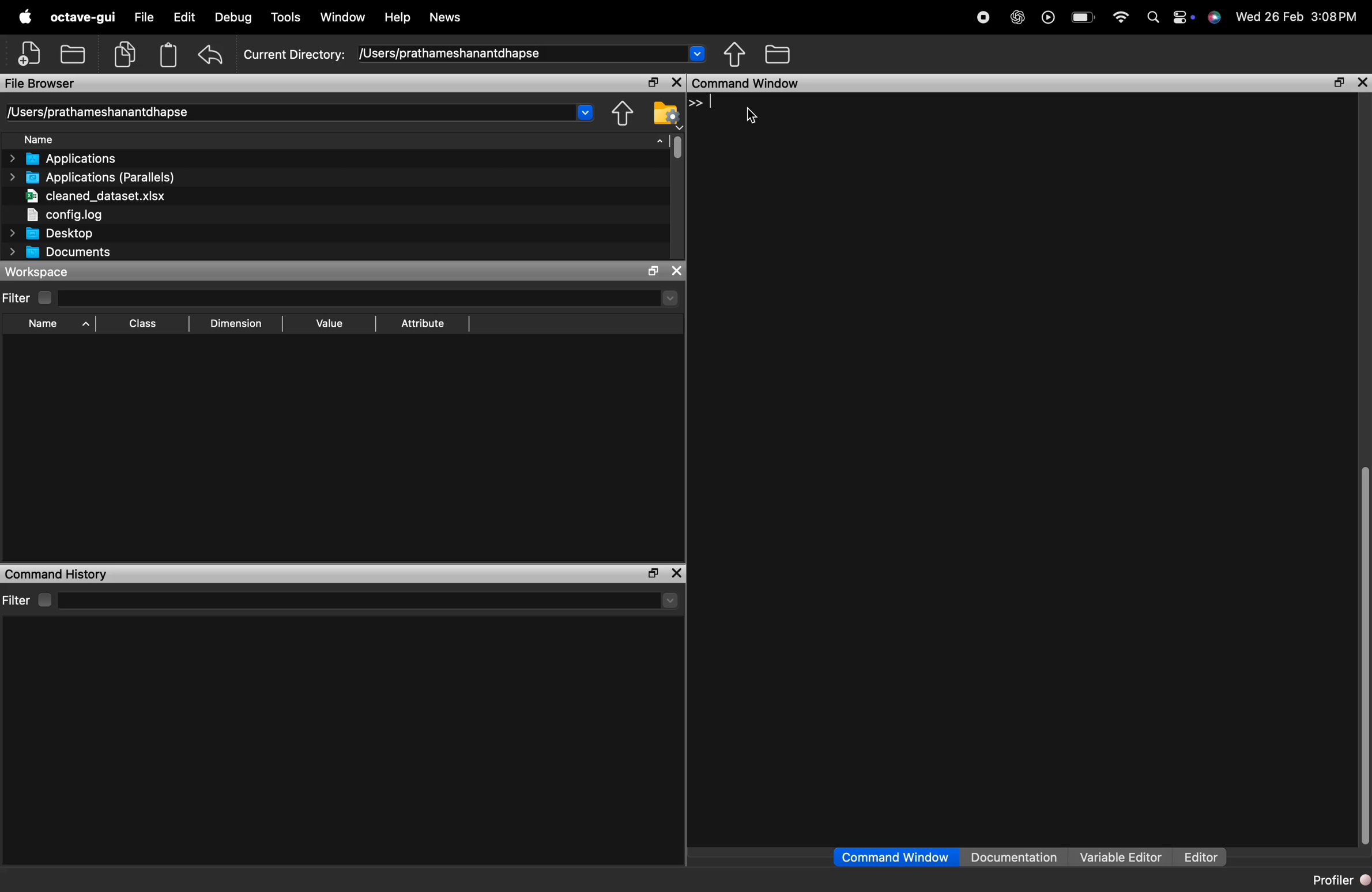  Describe the element at coordinates (665, 114) in the screenshot. I see `Browse directories` at that location.